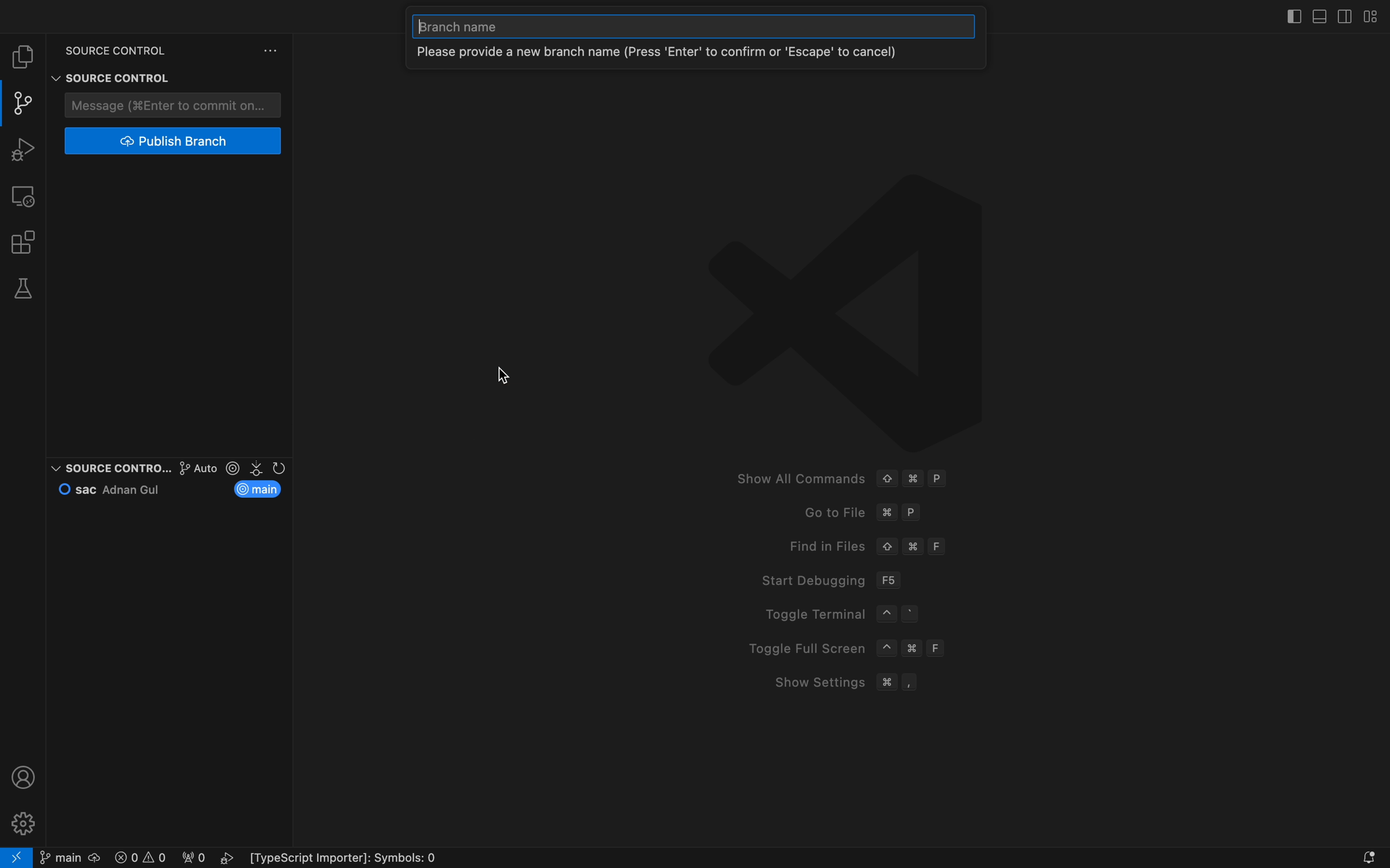  Describe the element at coordinates (261, 489) in the screenshot. I see `current branch` at that location.